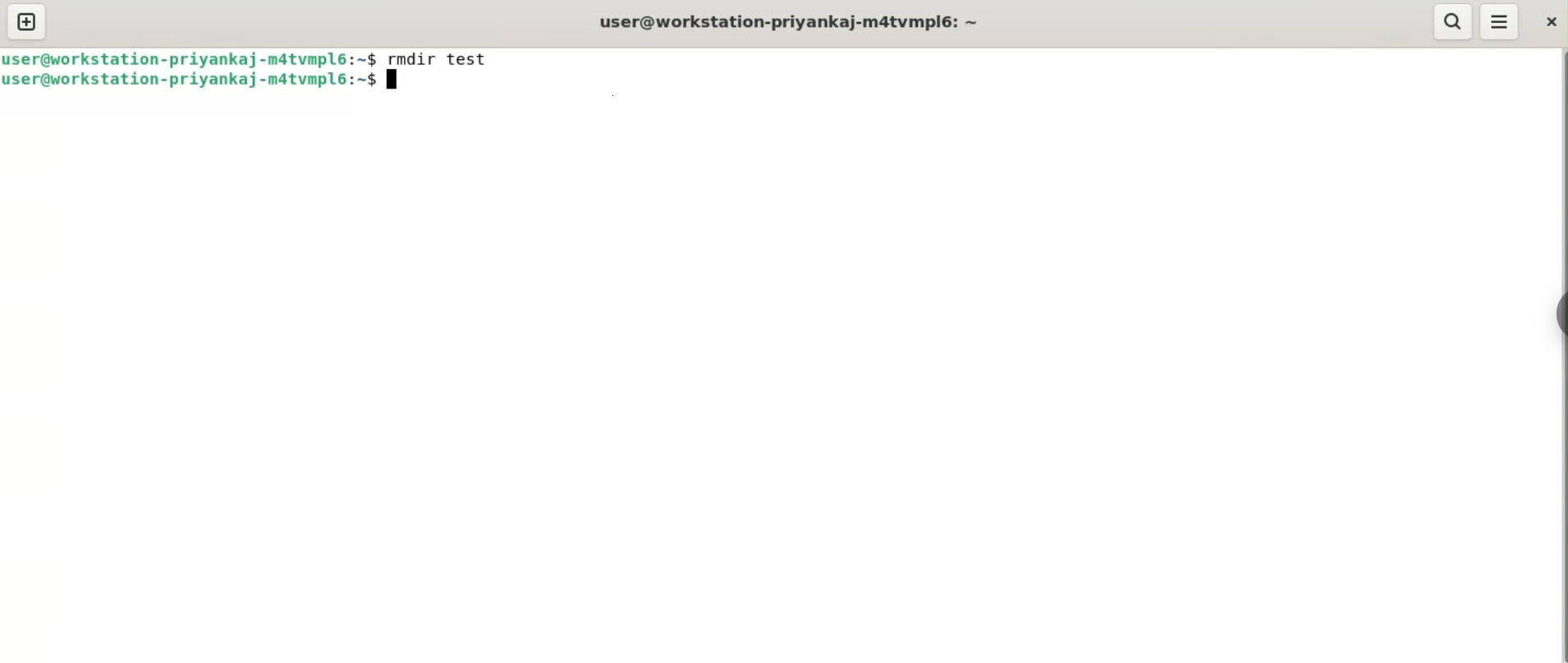 The height and width of the screenshot is (663, 1568). I want to click on search, so click(1452, 22).